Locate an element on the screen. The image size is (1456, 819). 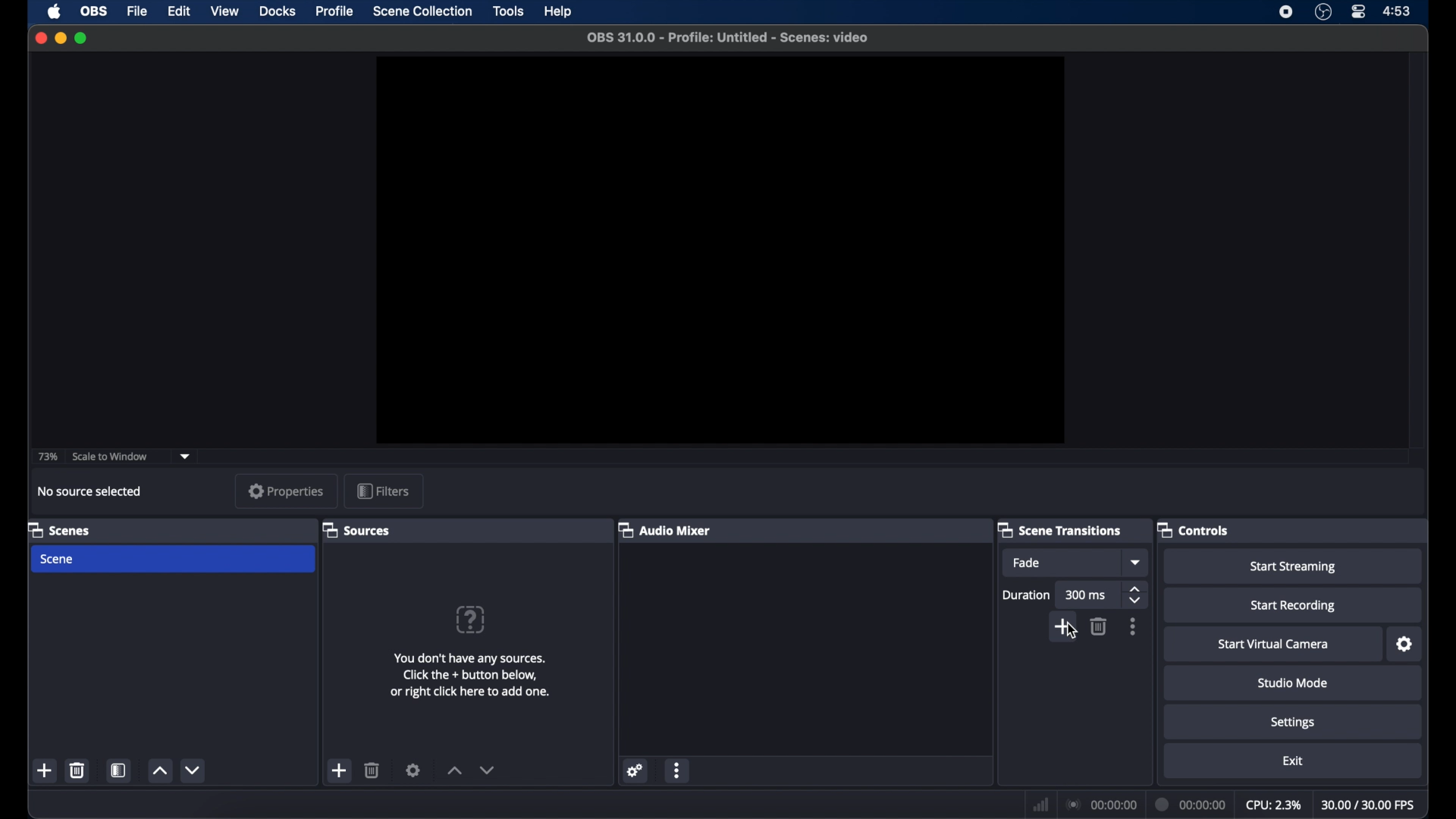
settings is located at coordinates (635, 770).